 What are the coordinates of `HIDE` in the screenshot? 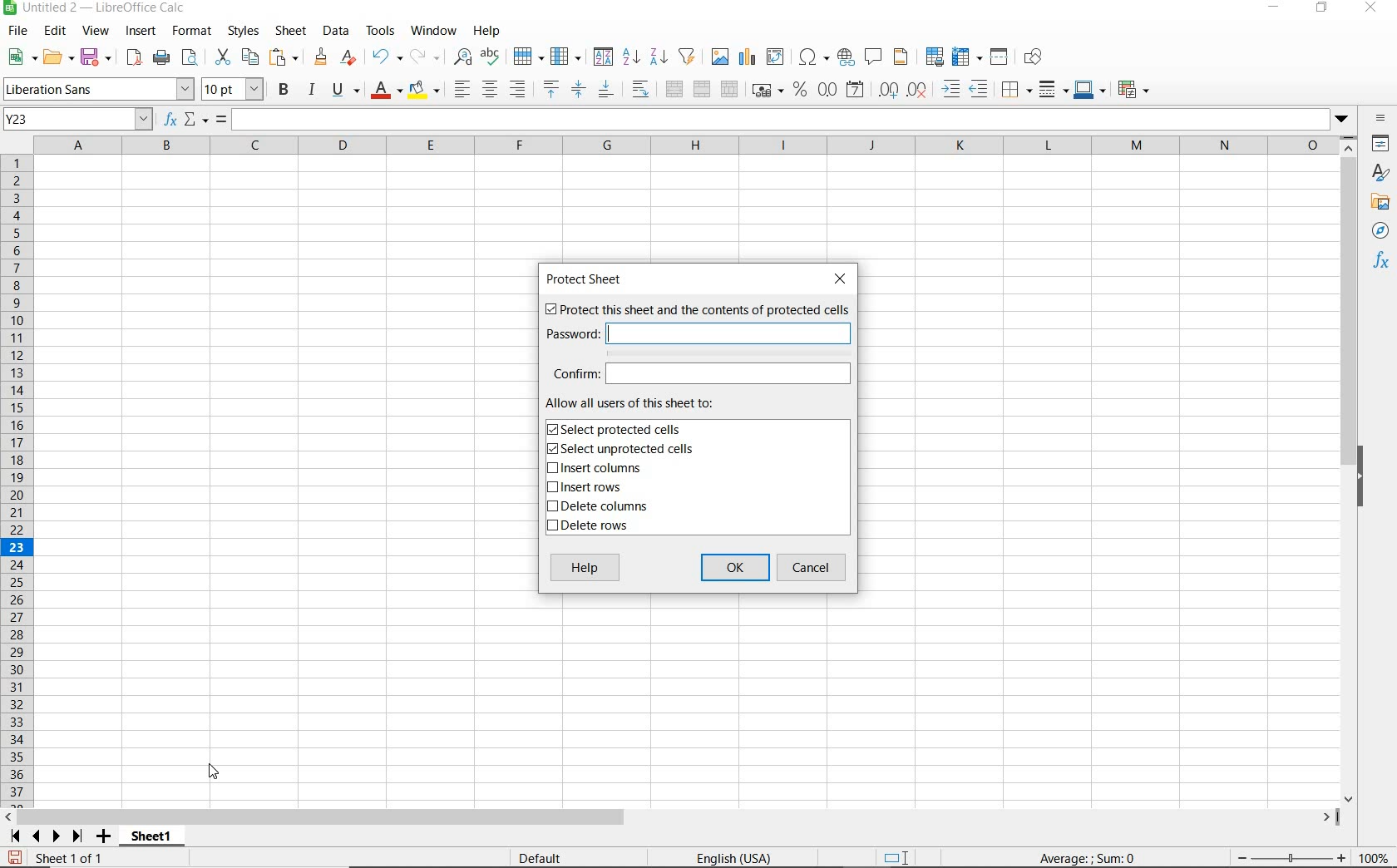 It's located at (1370, 474).